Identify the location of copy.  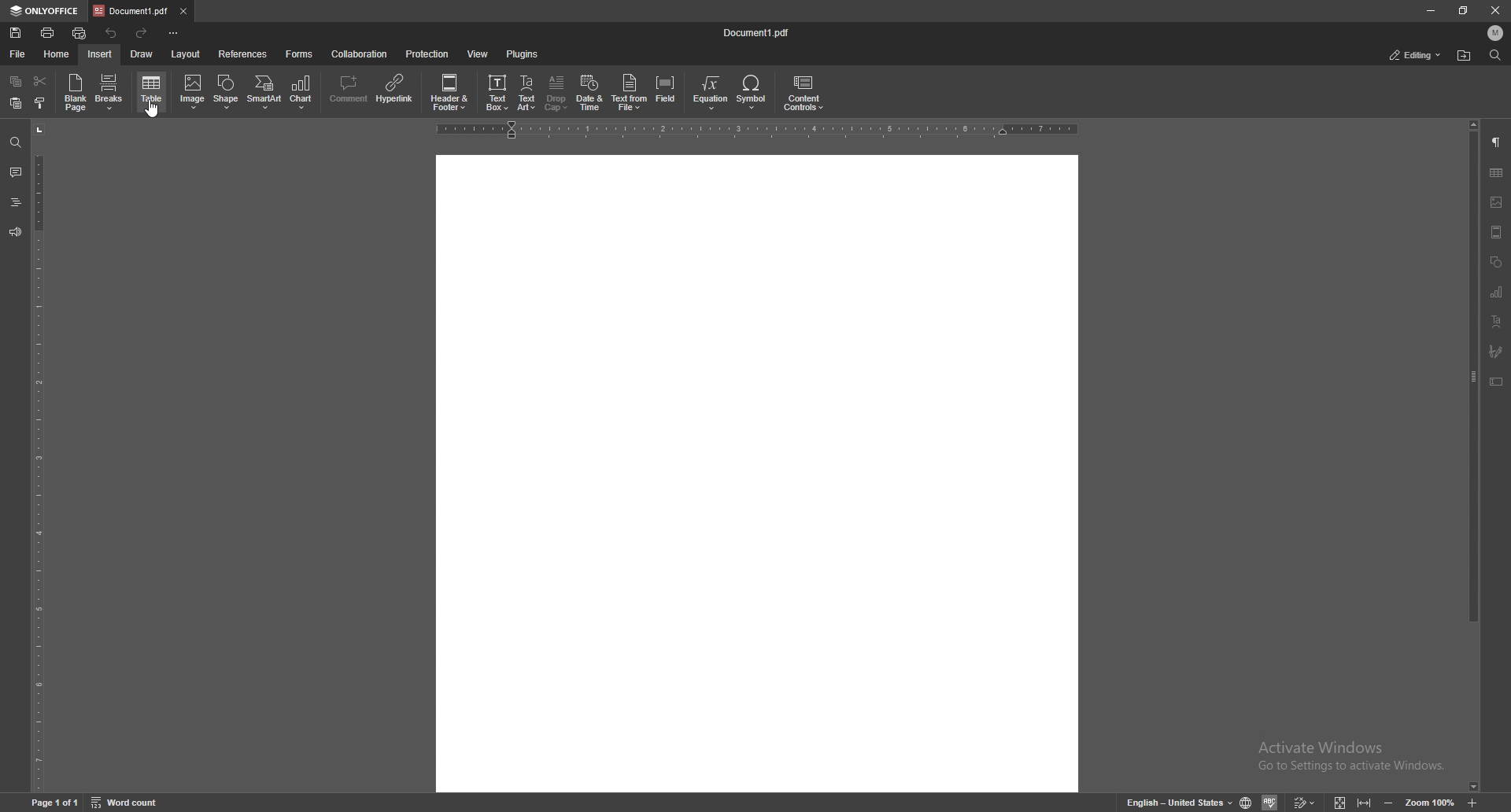
(16, 81).